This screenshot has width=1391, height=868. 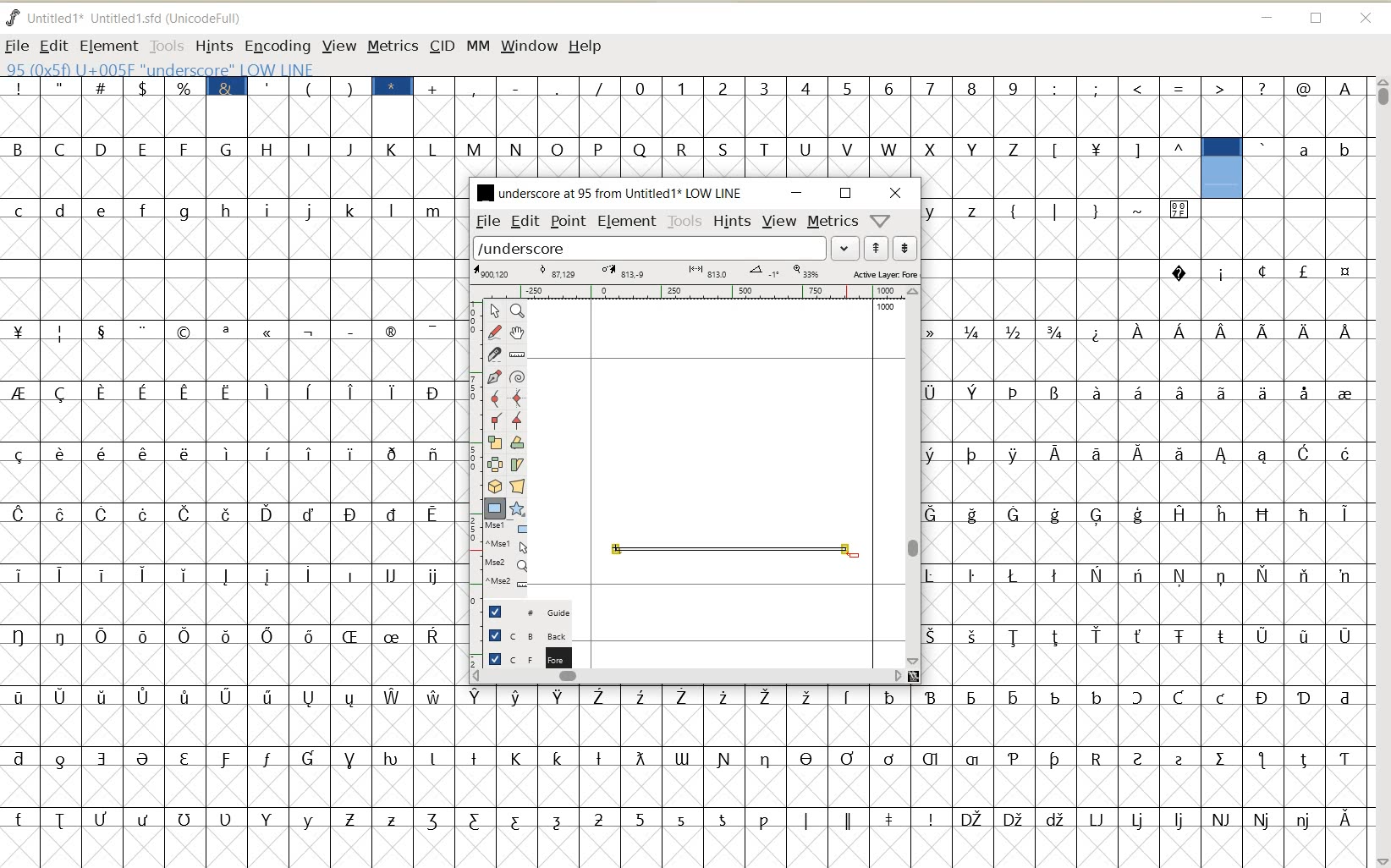 What do you see at coordinates (732, 221) in the screenshot?
I see `HINTS` at bounding box center [732, 221].